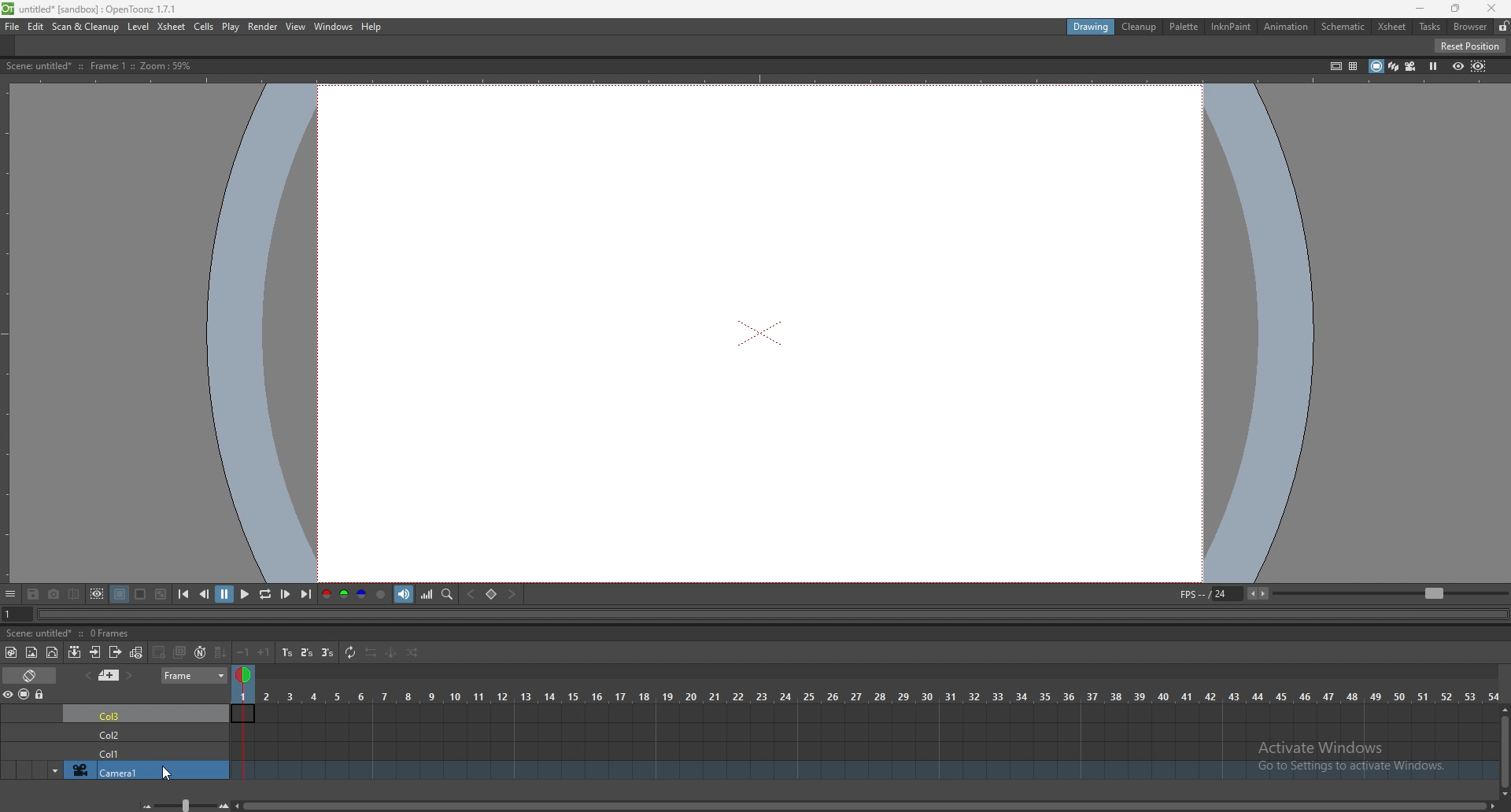 This screenshot has height=812, width=1511. Describe the element at coordinates (95, 652) in the screenshot. I see `open sub xsheet` at that location.